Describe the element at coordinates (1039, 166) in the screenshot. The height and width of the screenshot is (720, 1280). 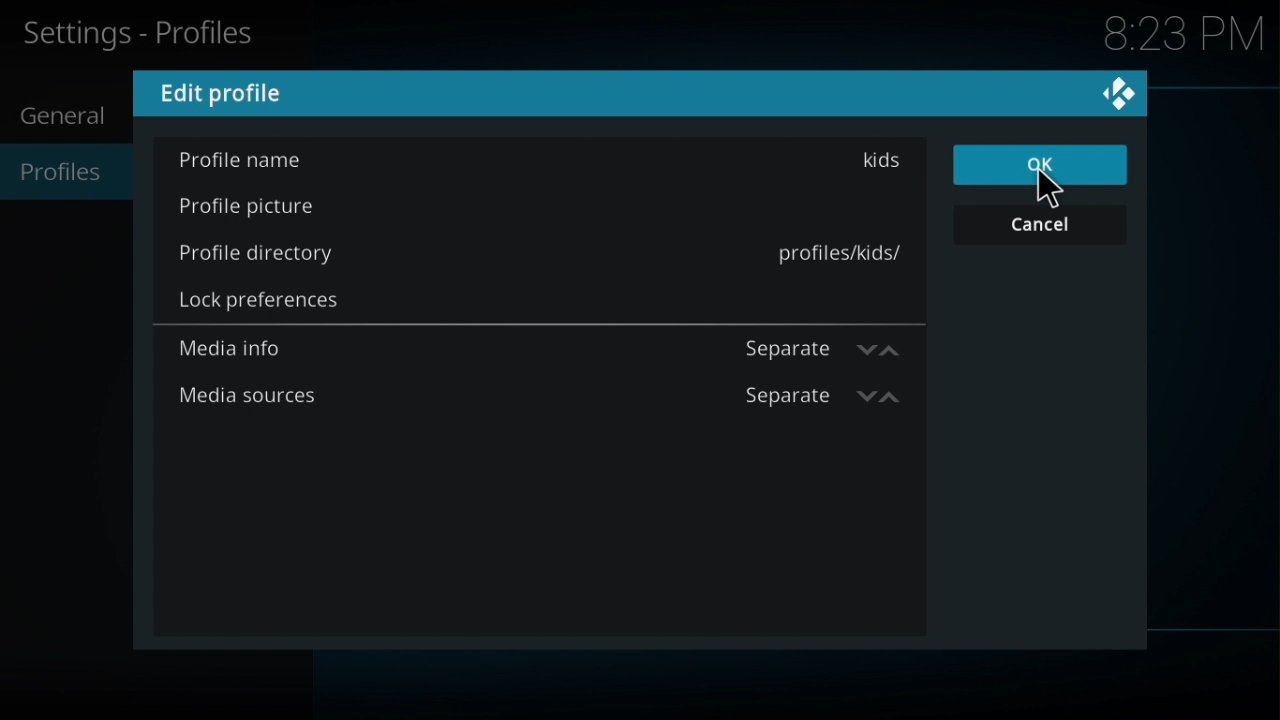
I see `Ok` at that location.